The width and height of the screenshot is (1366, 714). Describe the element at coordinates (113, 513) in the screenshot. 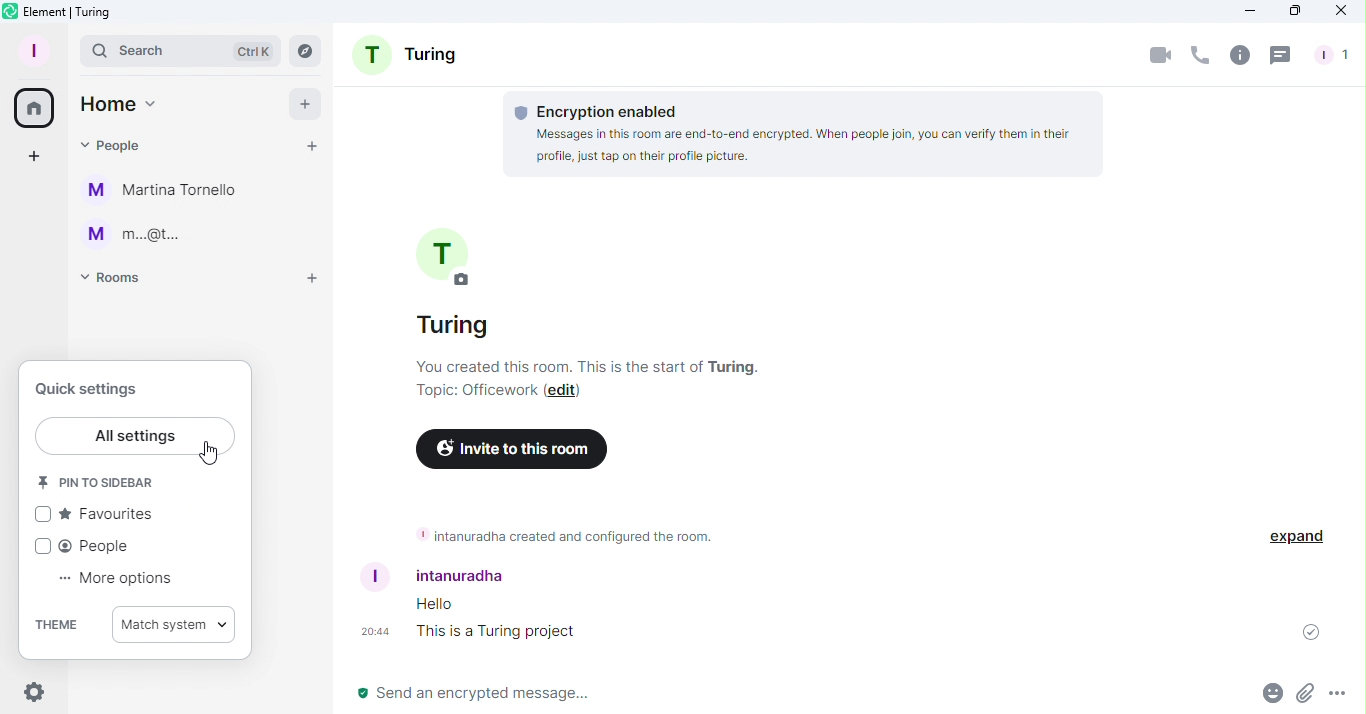

I see `Favourites` at that location.